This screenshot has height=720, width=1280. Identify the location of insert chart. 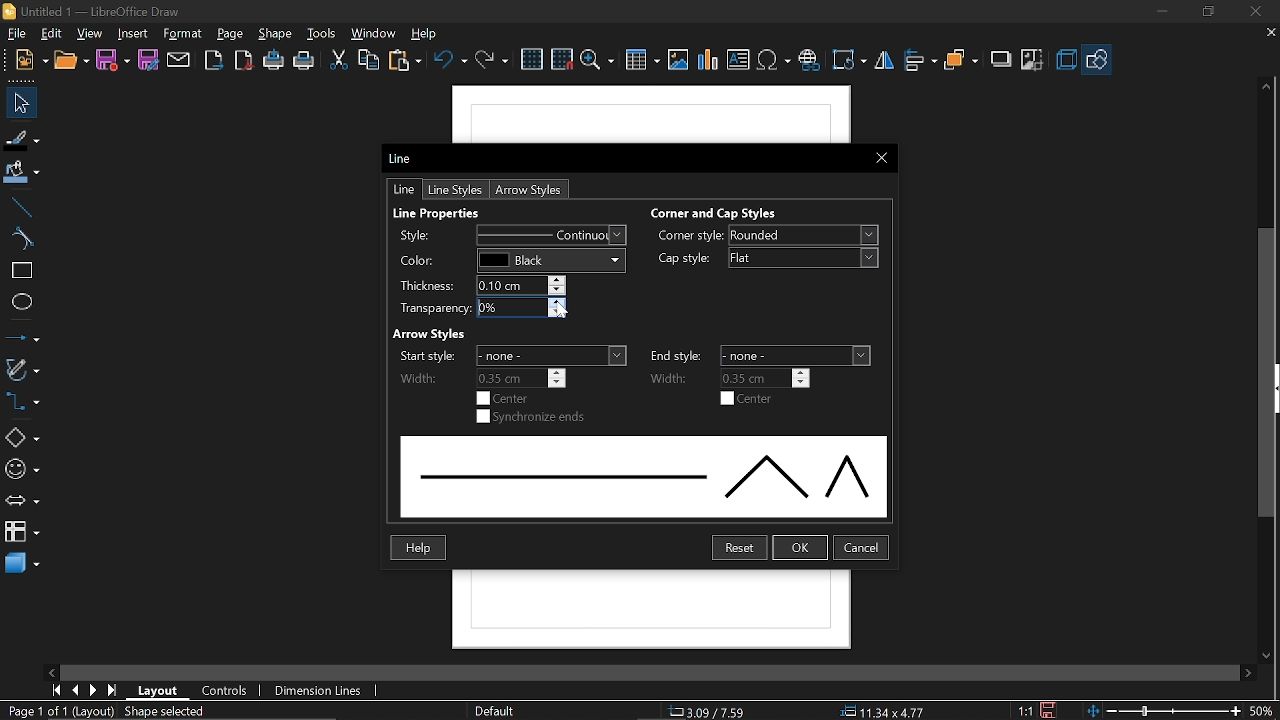
(706, 60).